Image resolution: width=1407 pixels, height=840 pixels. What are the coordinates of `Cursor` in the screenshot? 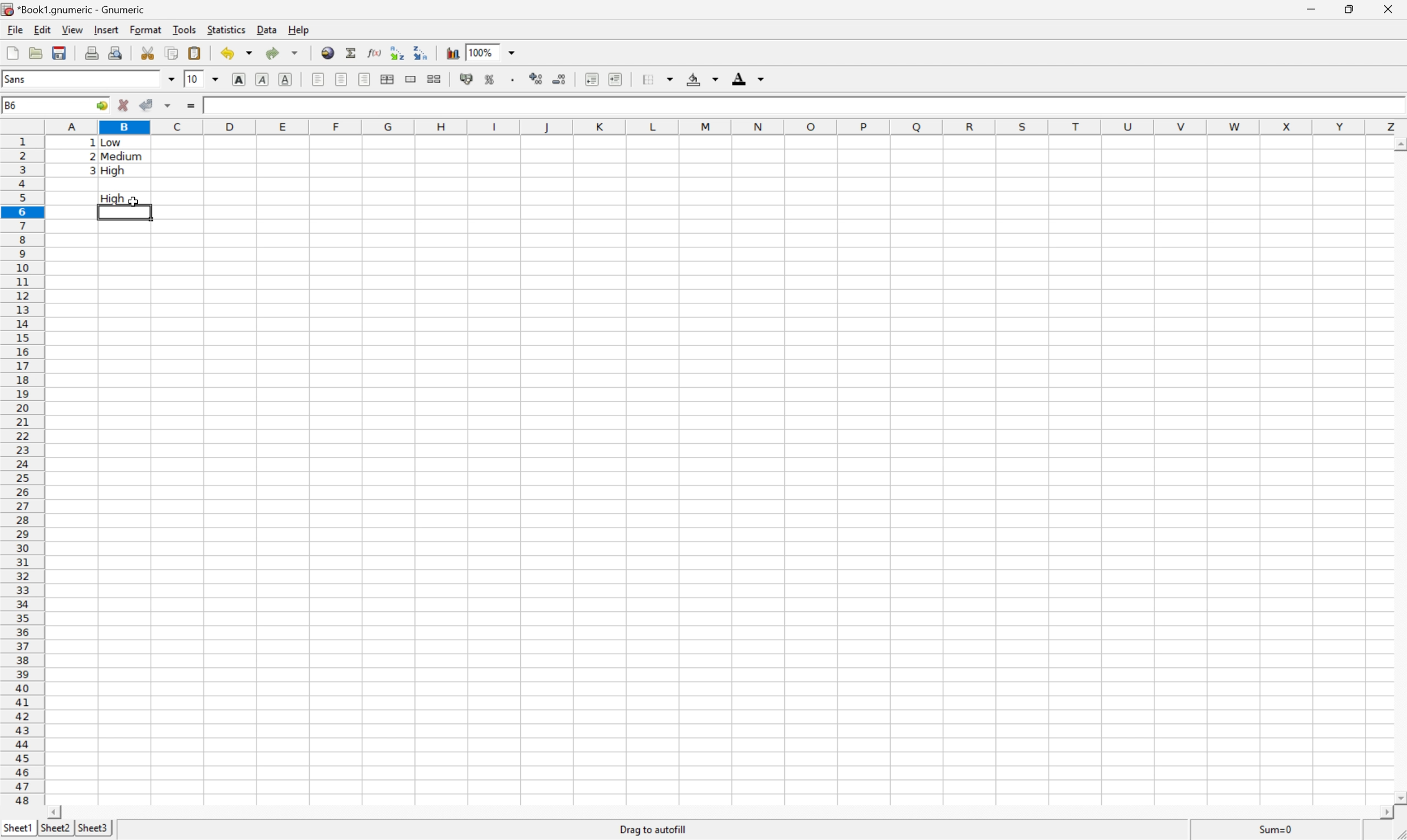 It's located at (136, 199).